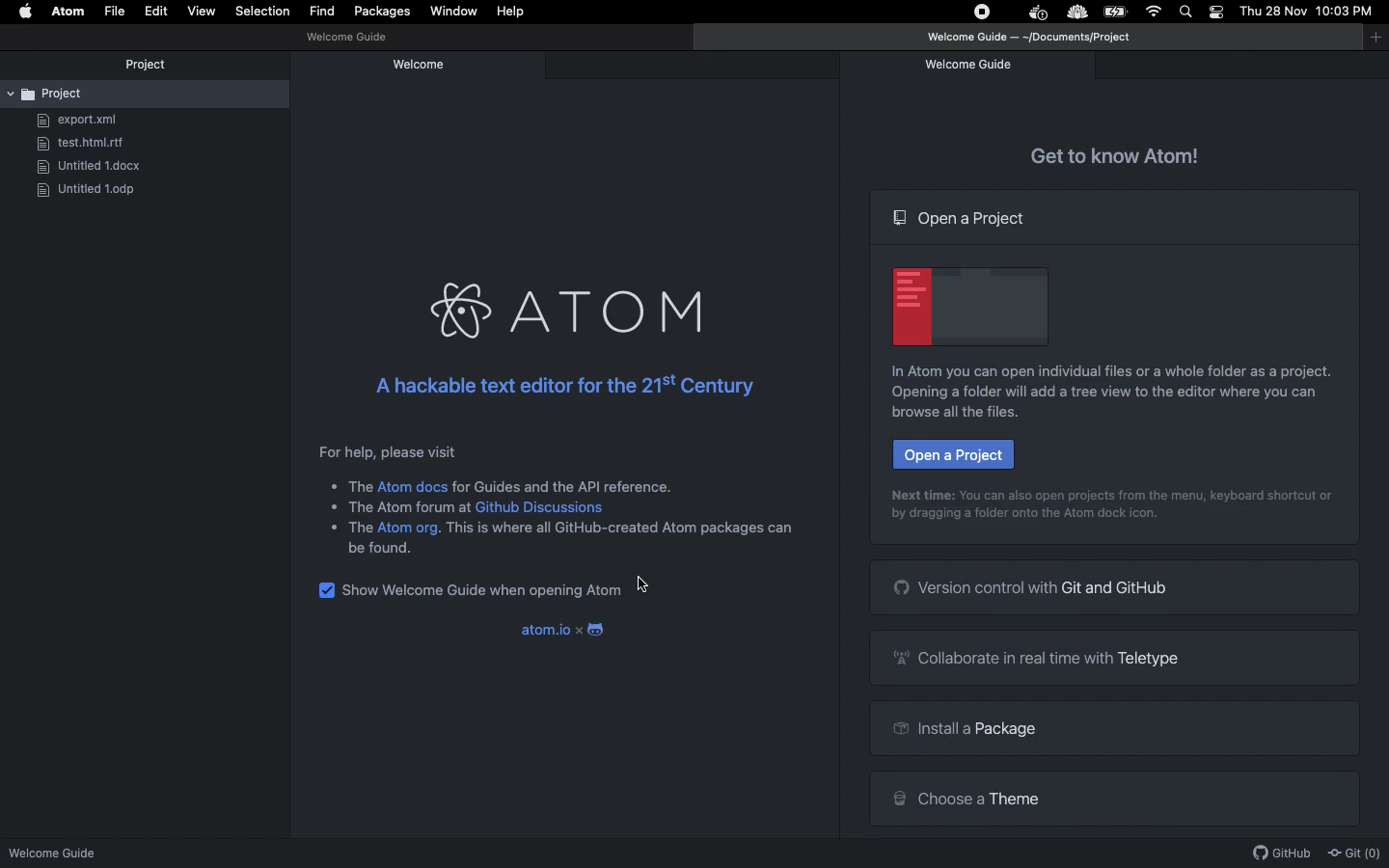 This screenshot has height=868, width=1389. Describe the element at coordinates (108, 93) in the screenshot. I see `Project` at that location.